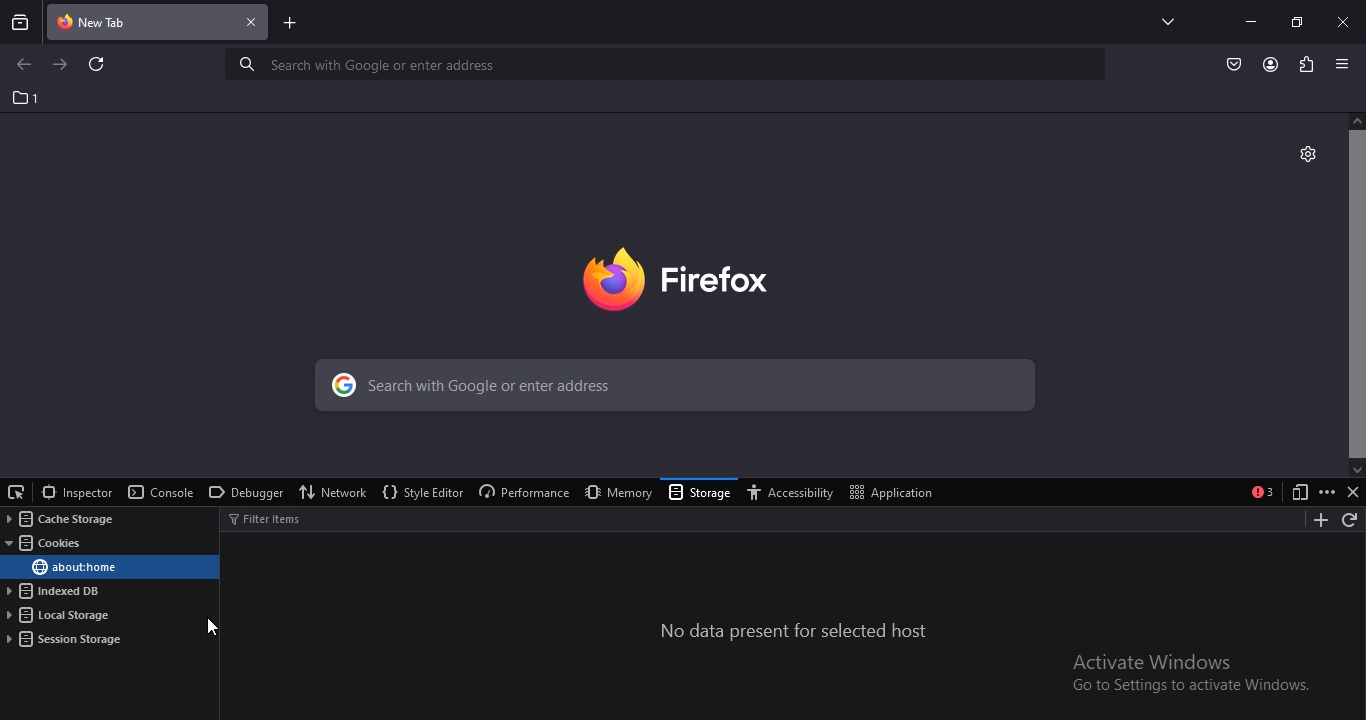  What do you see at coordinates (1327, 492) in the screenshot?
I see `customize developer tools` at bounding box center [1327, 492].